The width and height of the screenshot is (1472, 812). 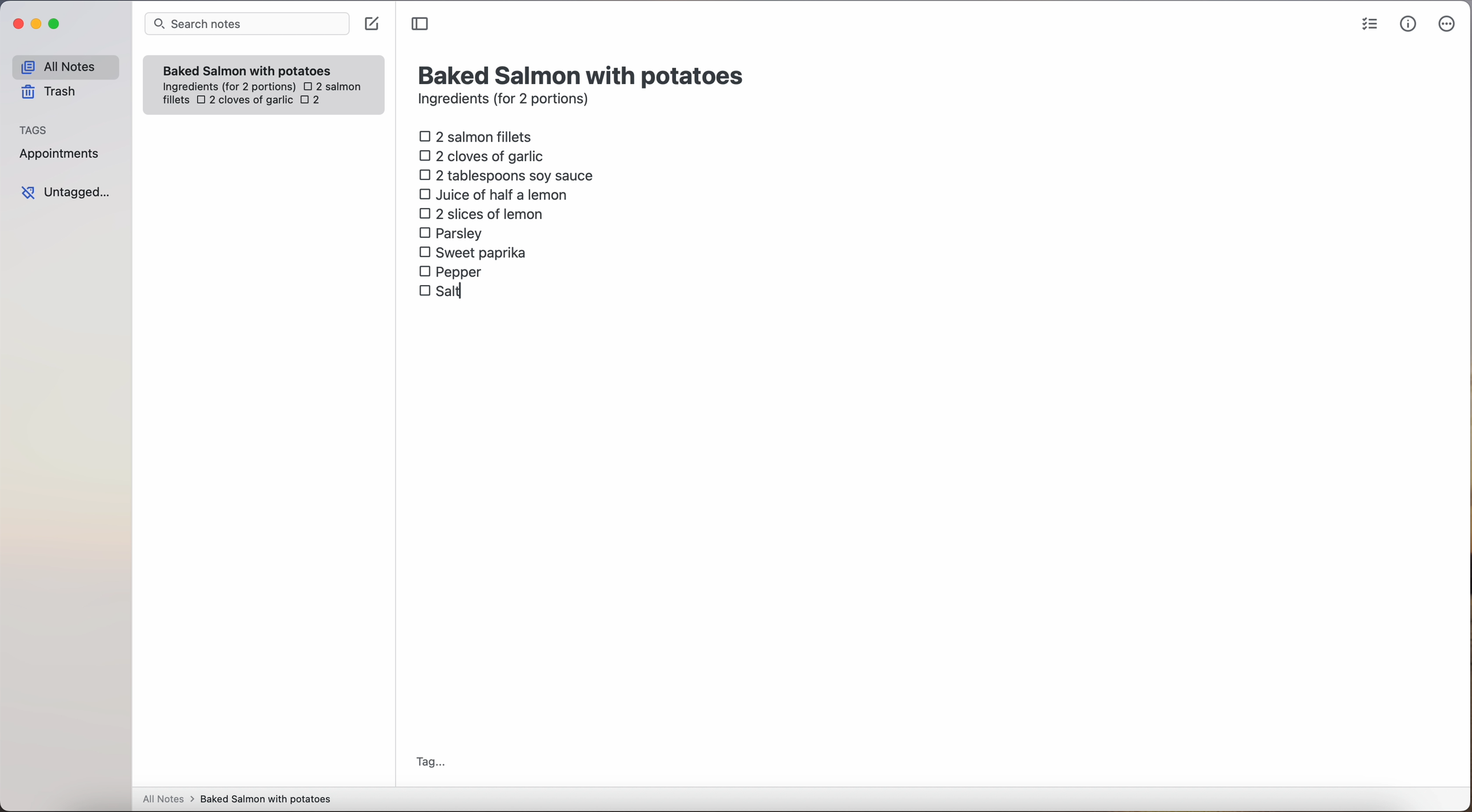 What do you see at coordinates (36, 25) in the screenshot?
I see `minimize Simplenote` at bounding box center [36, 25].